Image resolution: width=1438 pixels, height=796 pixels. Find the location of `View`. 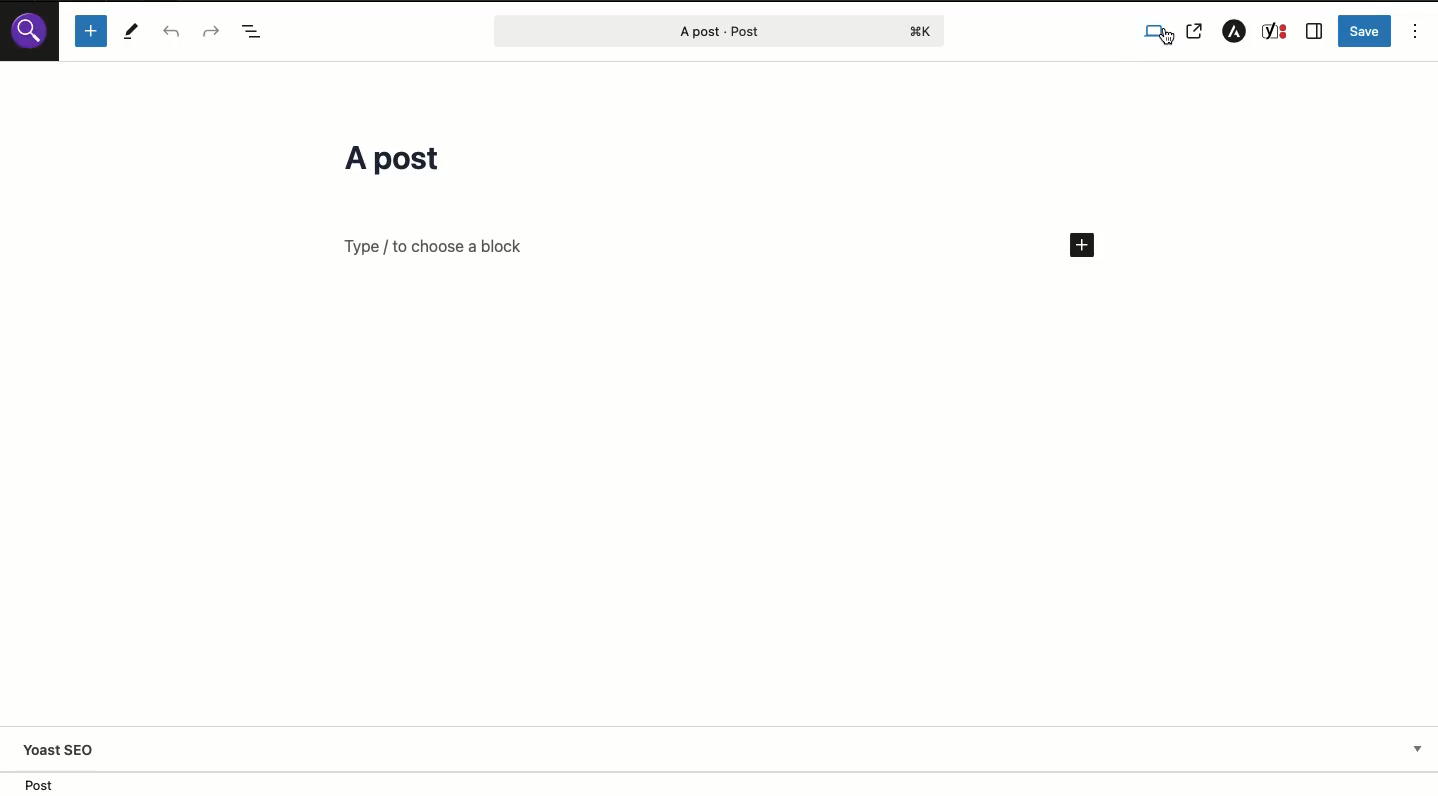

View is located at coordinates (1157, 33).